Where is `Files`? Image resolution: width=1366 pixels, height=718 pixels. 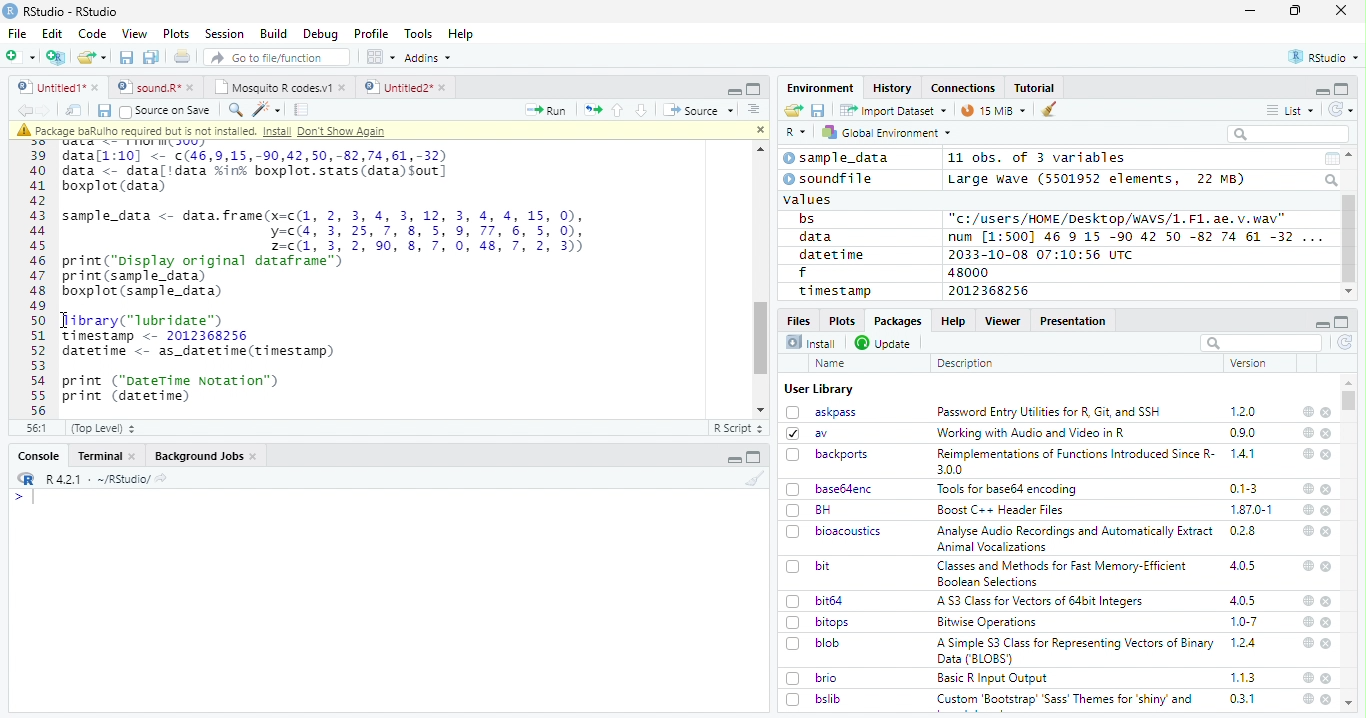
Files is located at coordinates (800, 319).